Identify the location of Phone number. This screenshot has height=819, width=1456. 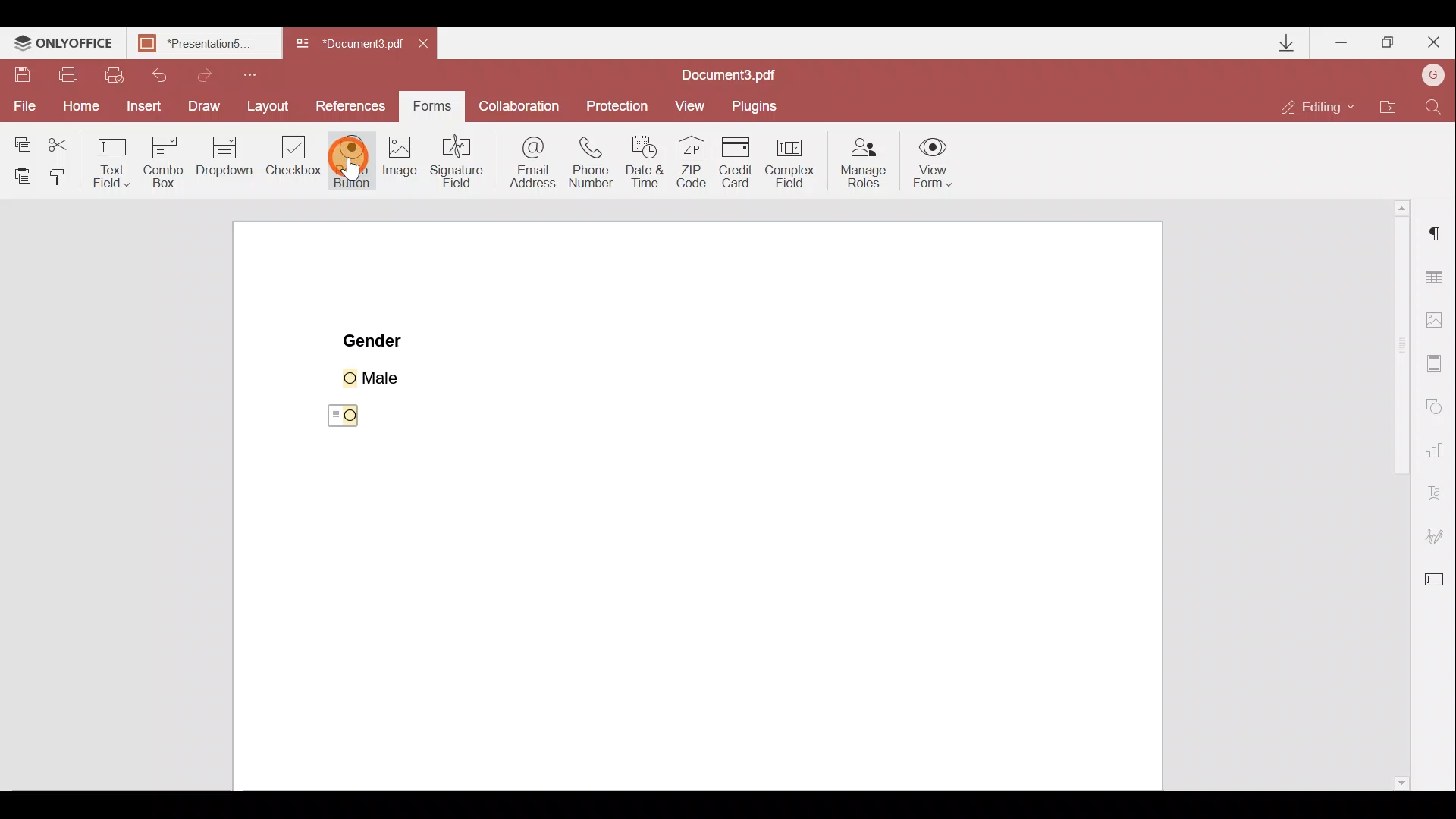
(597, 161).